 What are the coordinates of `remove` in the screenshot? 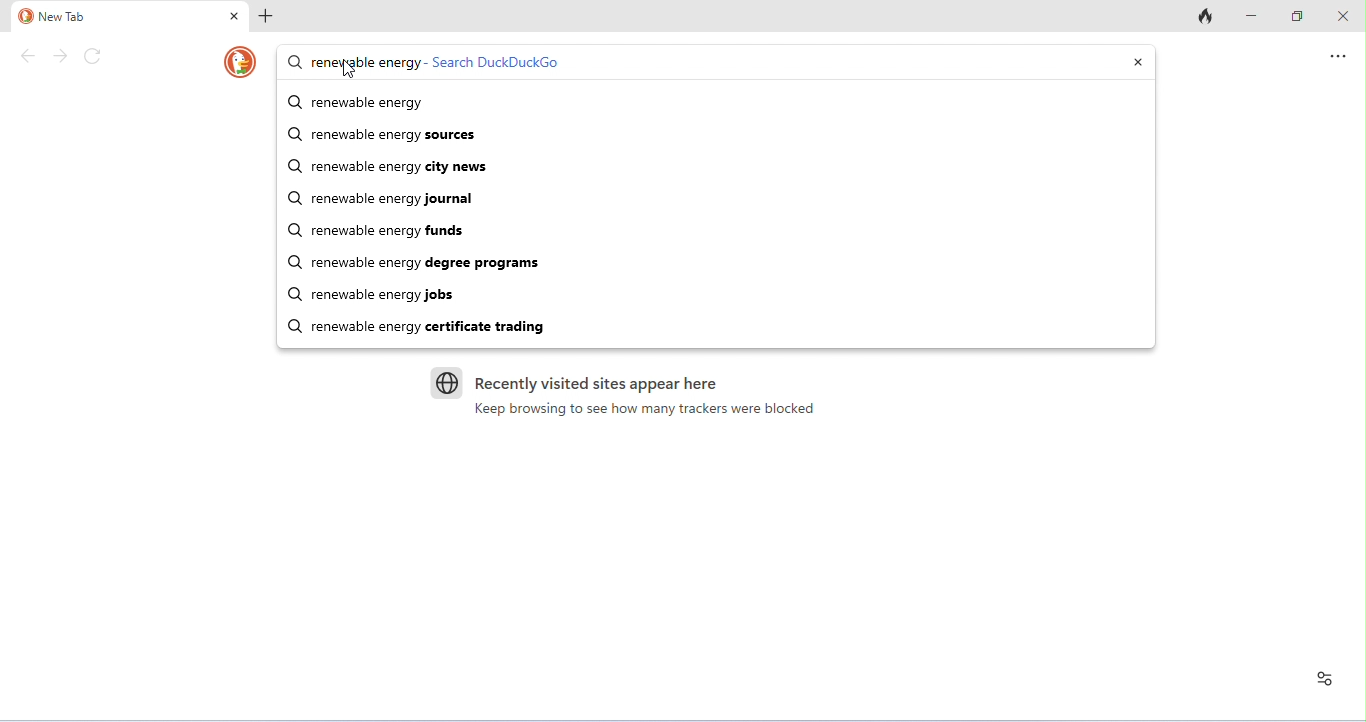 It's located at (1138, 62).